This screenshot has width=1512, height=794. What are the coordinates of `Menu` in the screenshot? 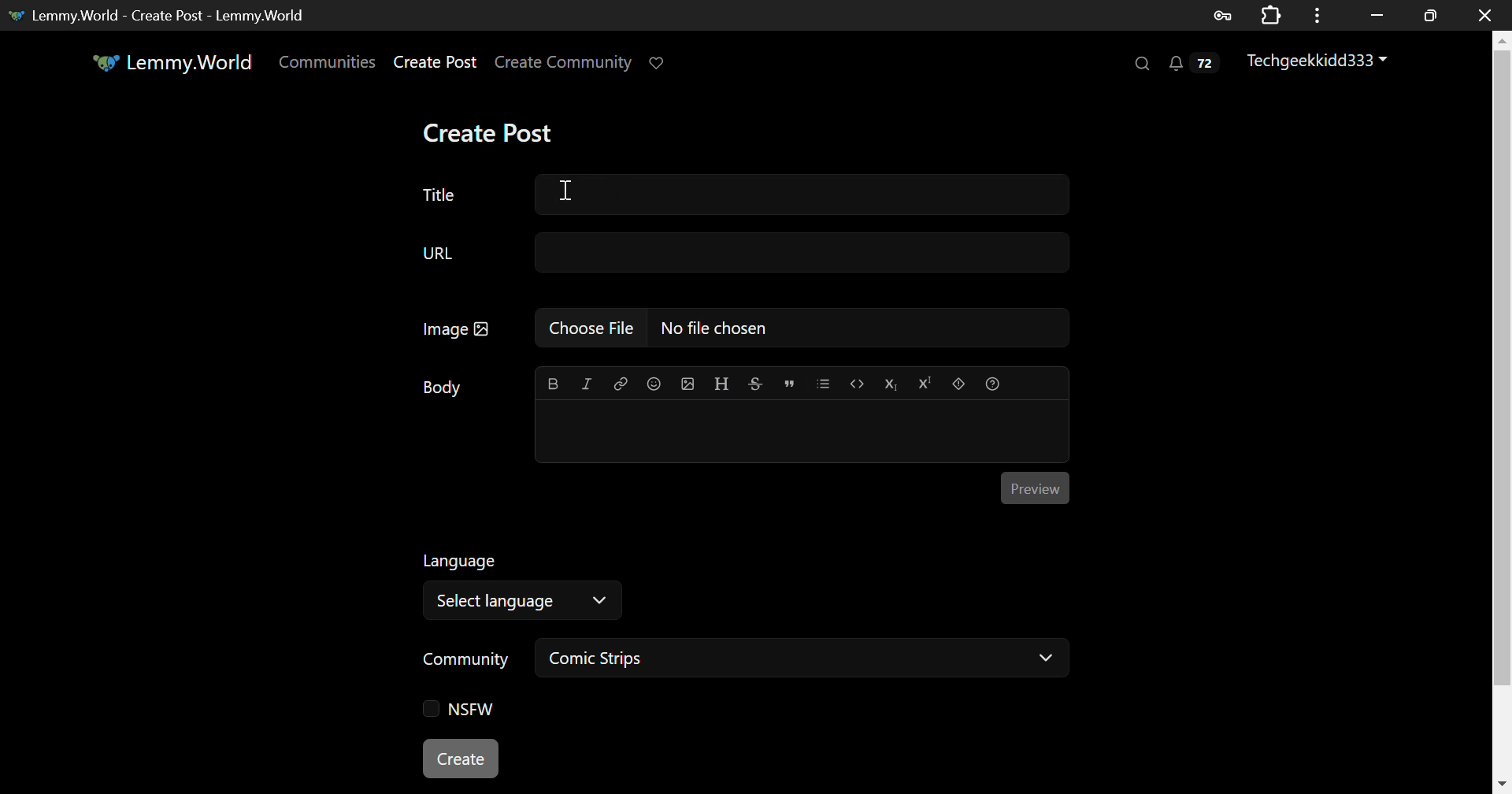 It's located at (1322, 14).